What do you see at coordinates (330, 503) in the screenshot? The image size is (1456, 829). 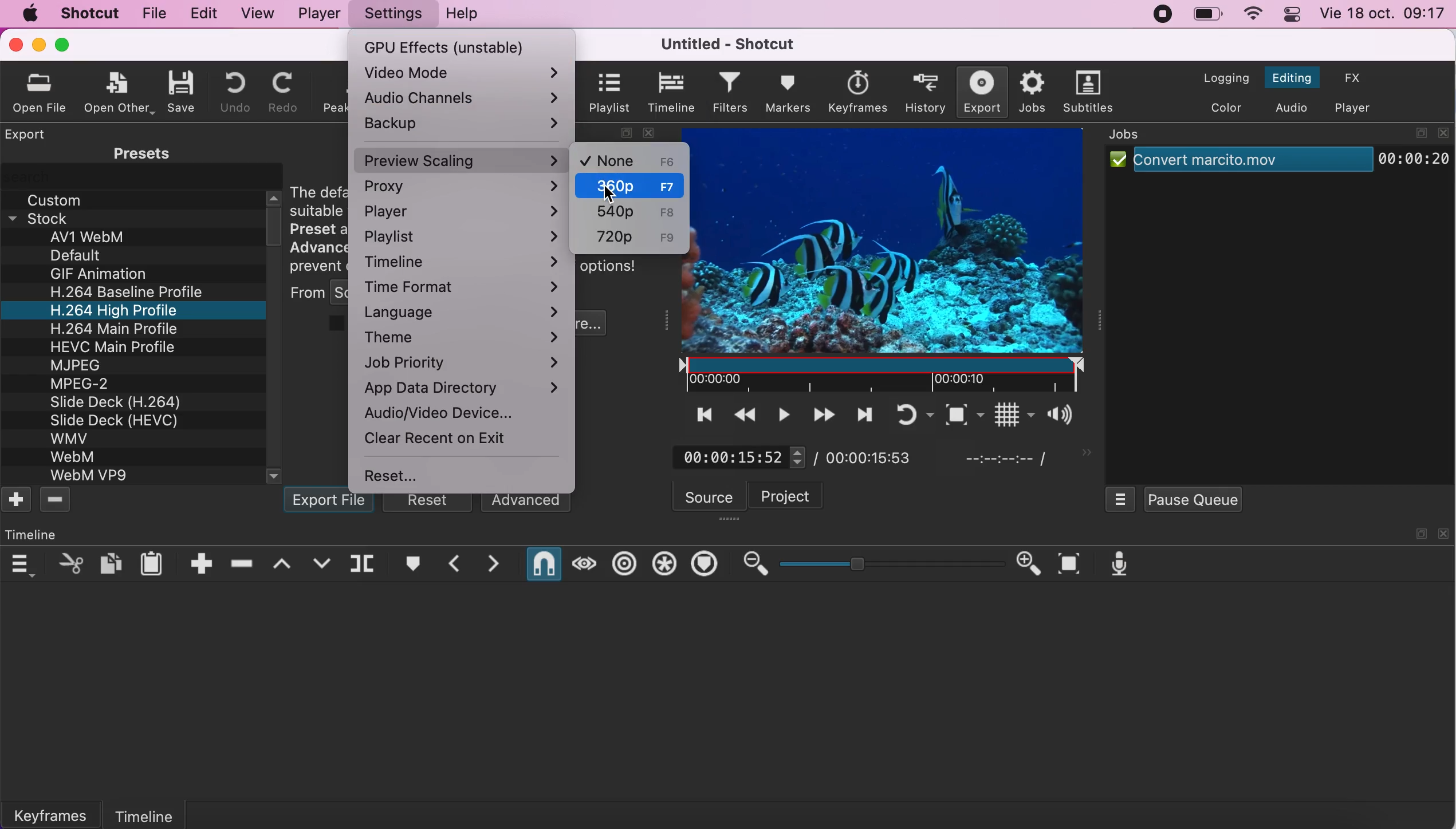 I see `export file` at bounding box center [330, 503].